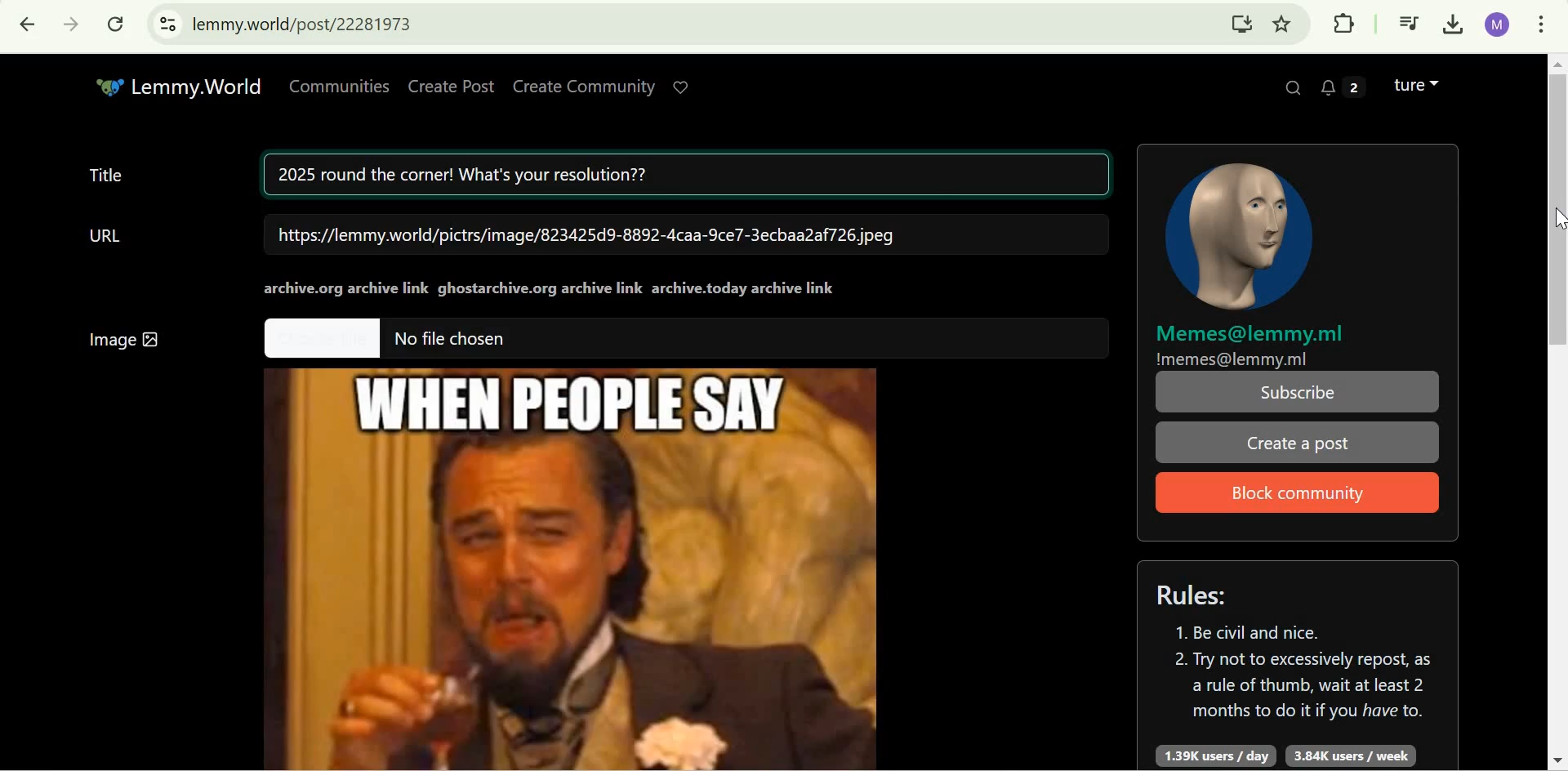 This screenshot has height=771, width=1568. Describe the element at coordinates (587, 234) in the screenshot. I see `https://lemmy.world/pictrs/image/823425d9-8892-4caa-9ce7-3ecbaa2af726.jpeg` at that location.